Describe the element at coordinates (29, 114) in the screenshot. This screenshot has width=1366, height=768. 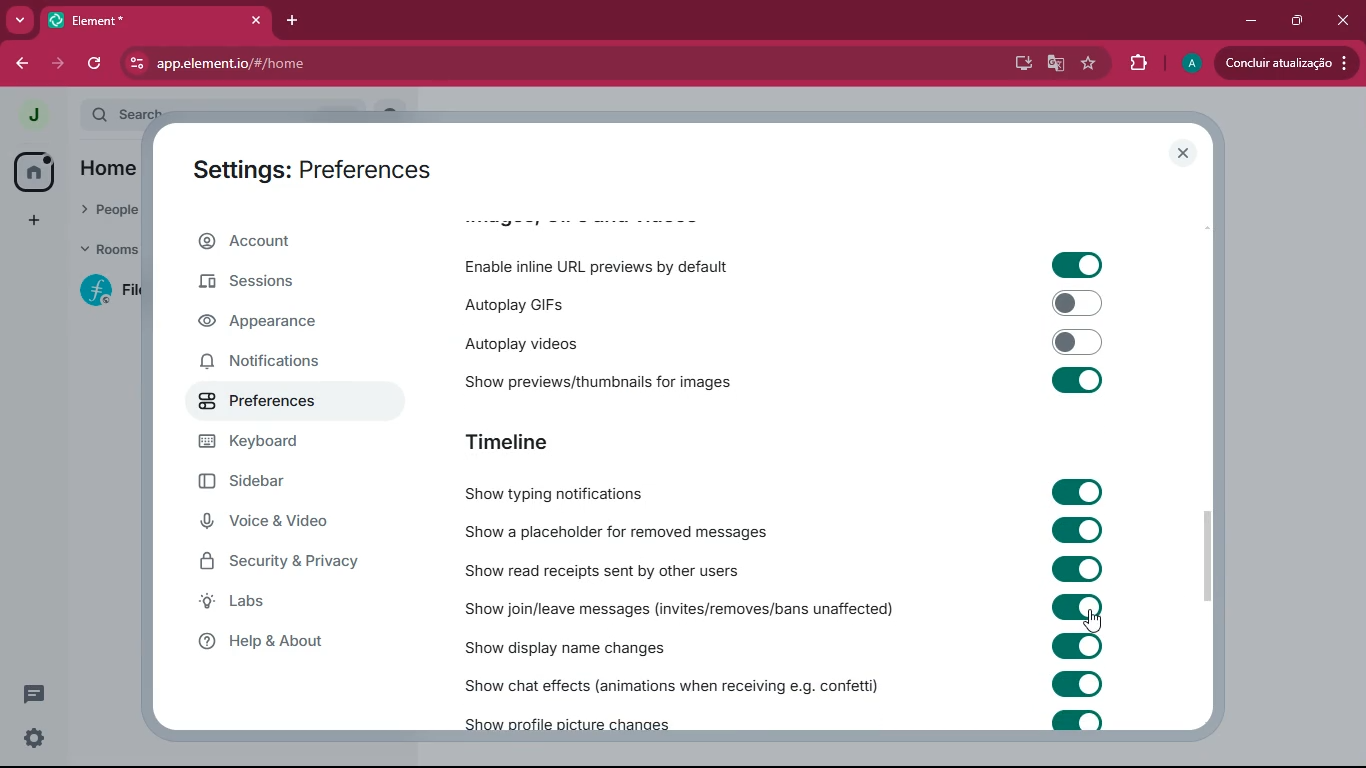
I see `profile picture` at that location.